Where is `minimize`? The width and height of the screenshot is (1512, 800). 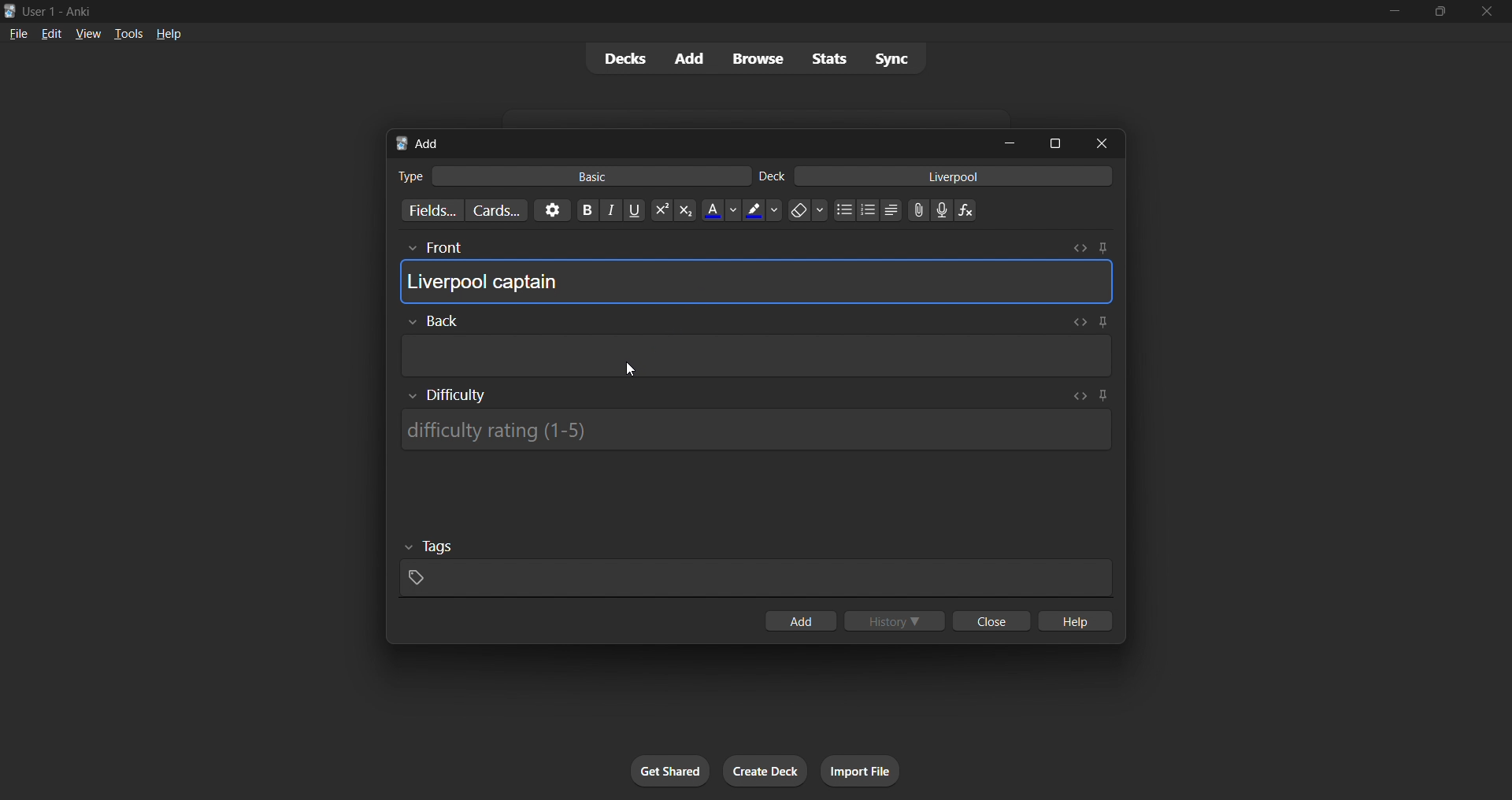
minimize is located at coordinates (1394, 12).